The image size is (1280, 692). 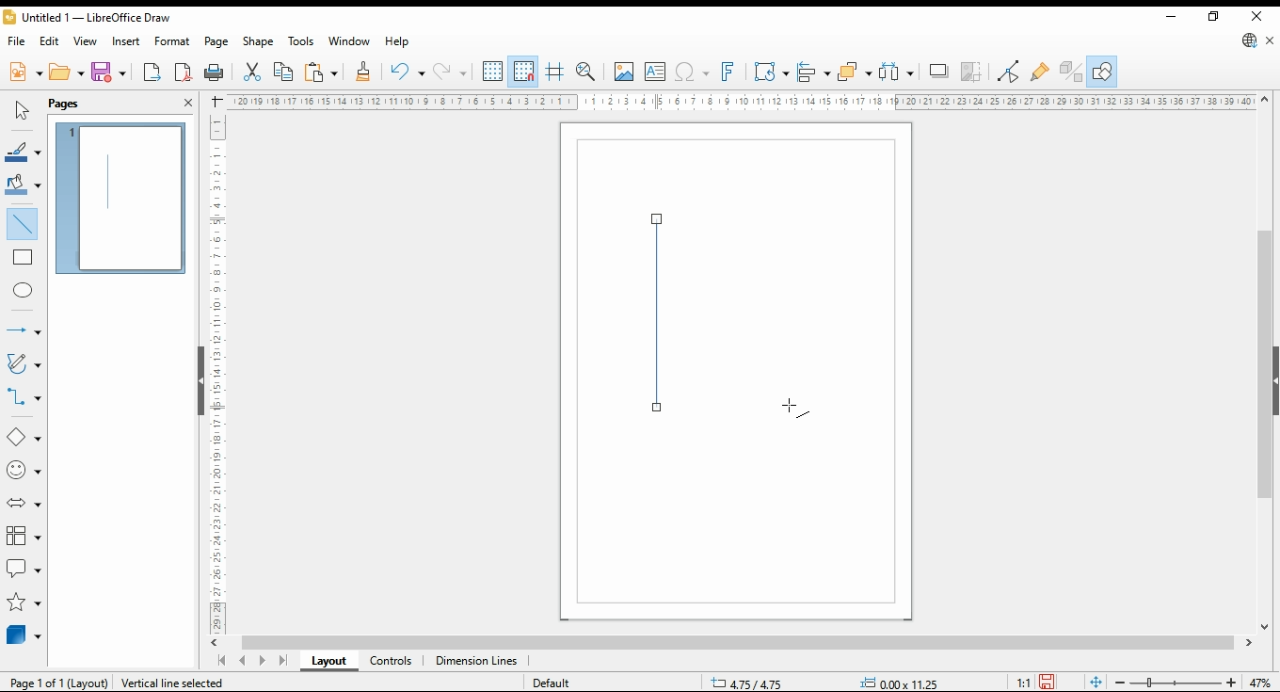 What do you see at coordinates (655, 72) in the screenshot?
I see `insert text box` at bounding box center [655, 72].